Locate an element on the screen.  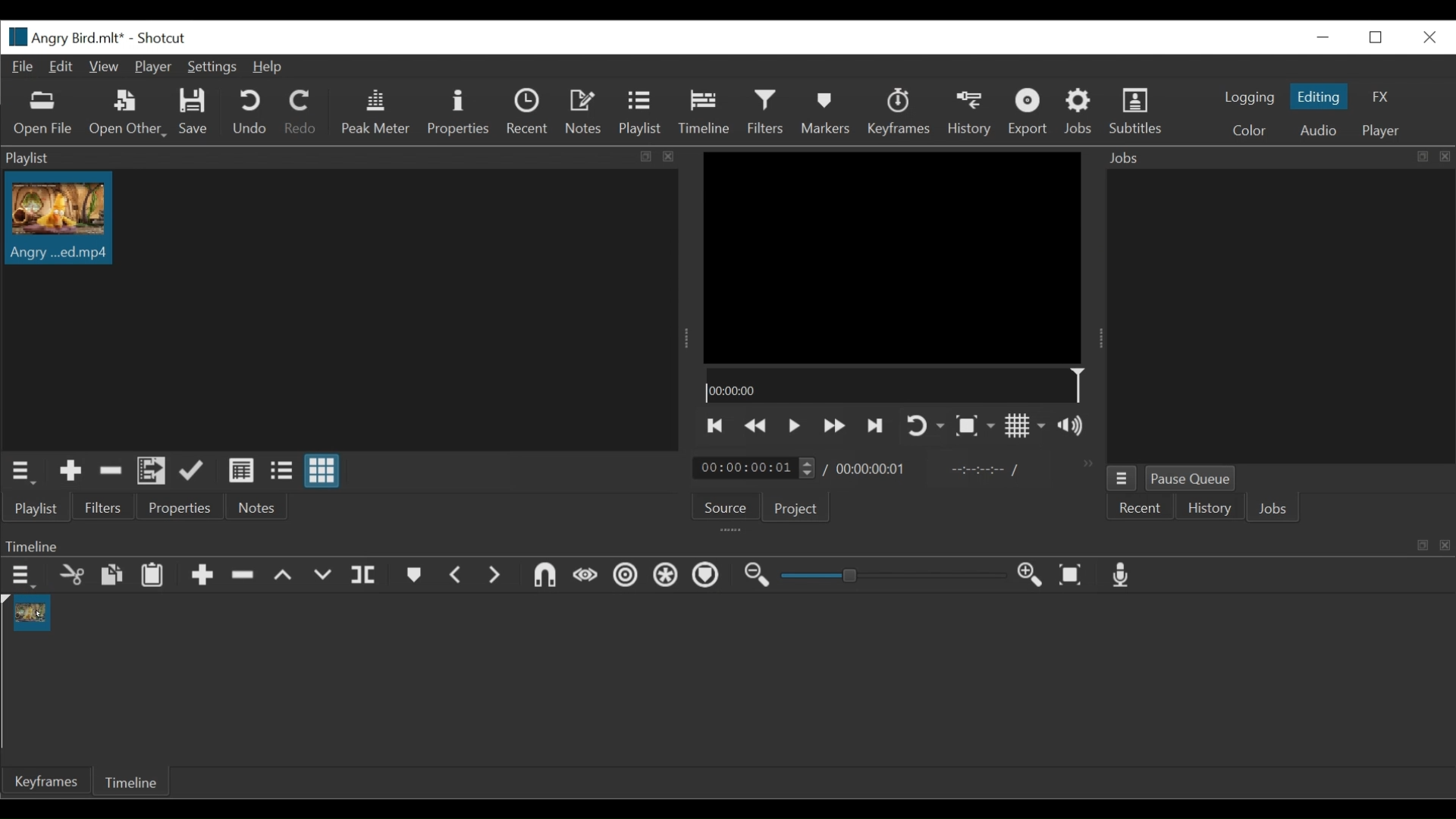
Skip to the previous point is located at coordinates (716, 425).